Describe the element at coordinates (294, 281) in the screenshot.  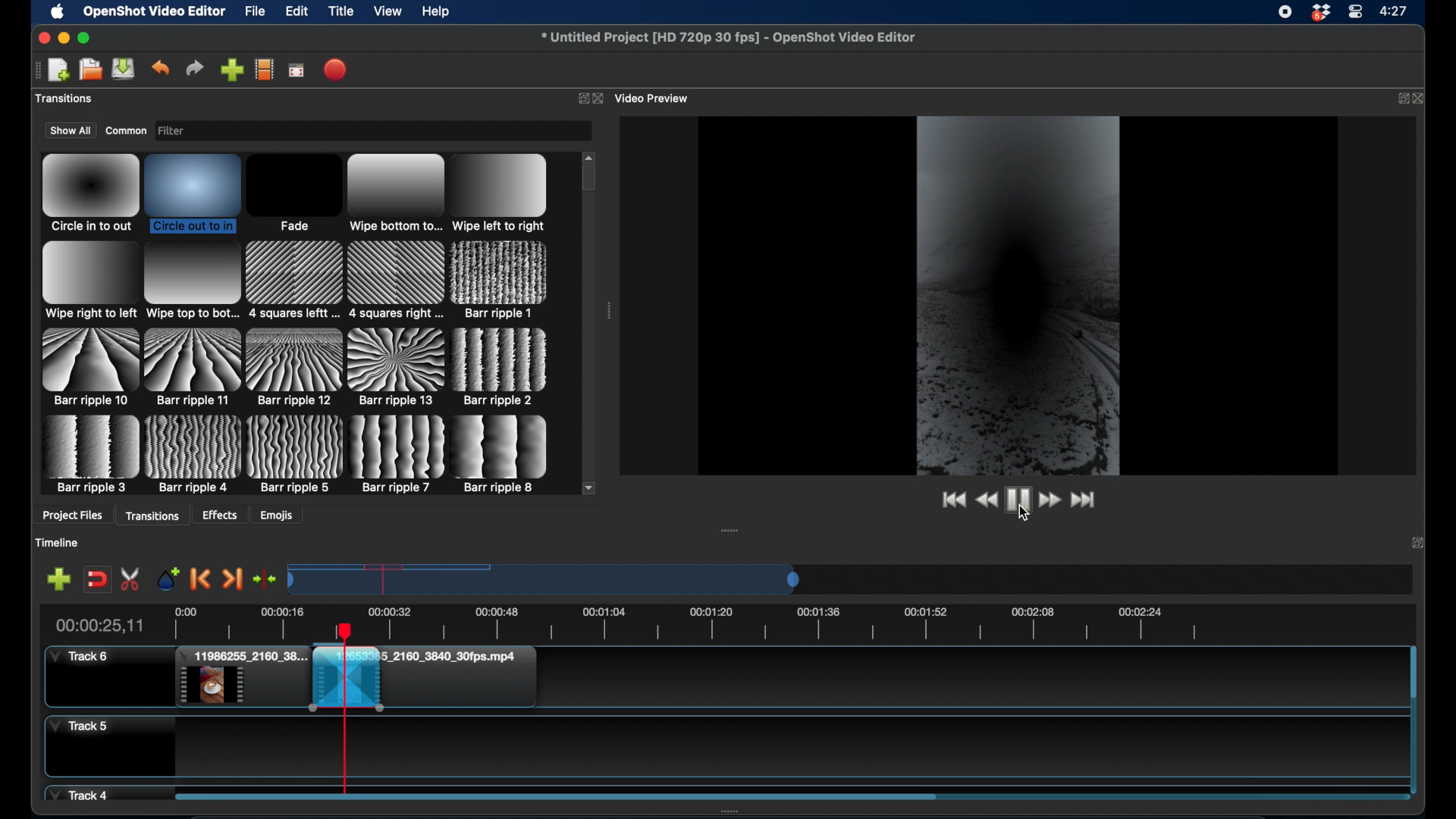
I see `transition` at that location.